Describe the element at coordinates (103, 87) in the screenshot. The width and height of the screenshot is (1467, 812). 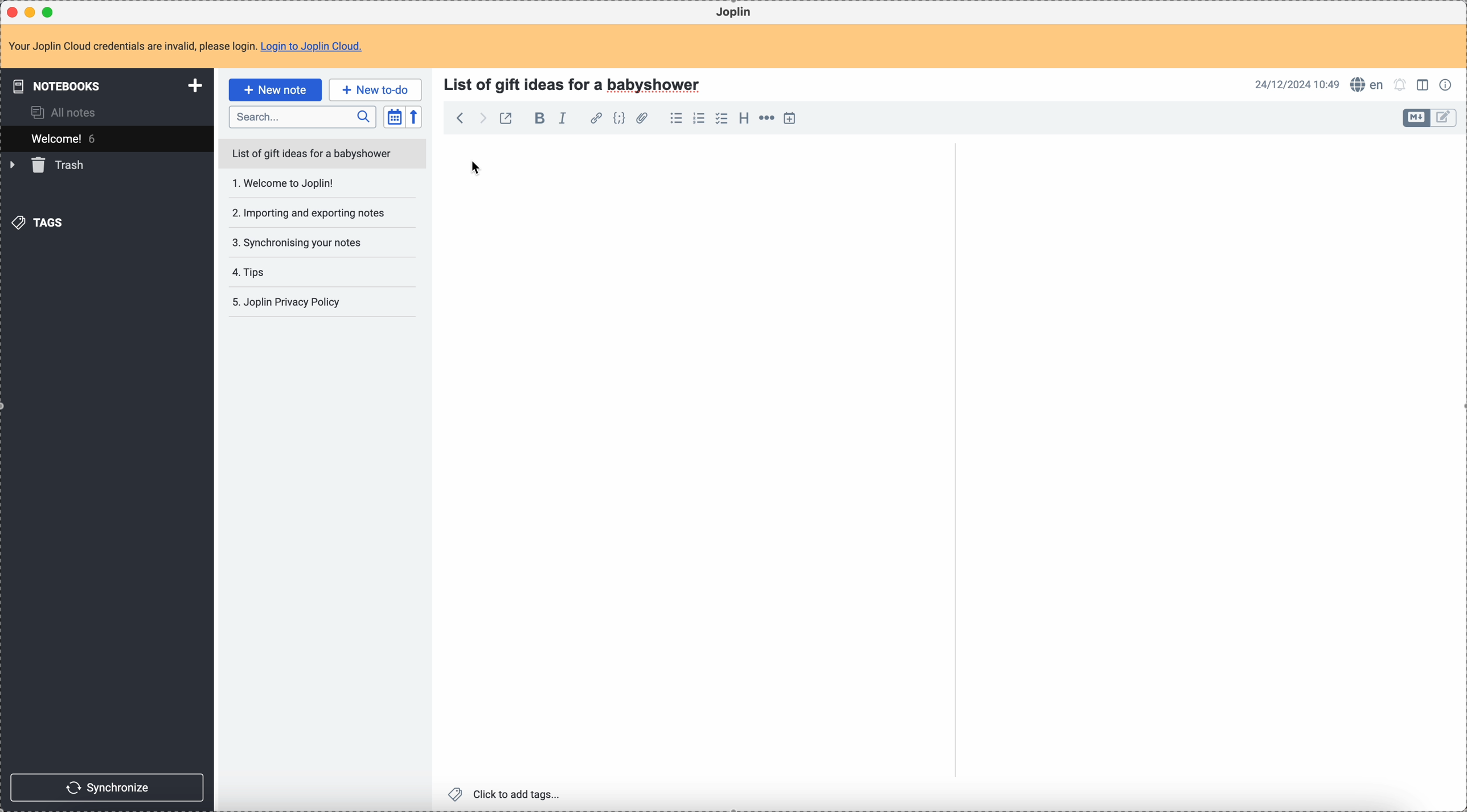
I see `notebooks` at that location.